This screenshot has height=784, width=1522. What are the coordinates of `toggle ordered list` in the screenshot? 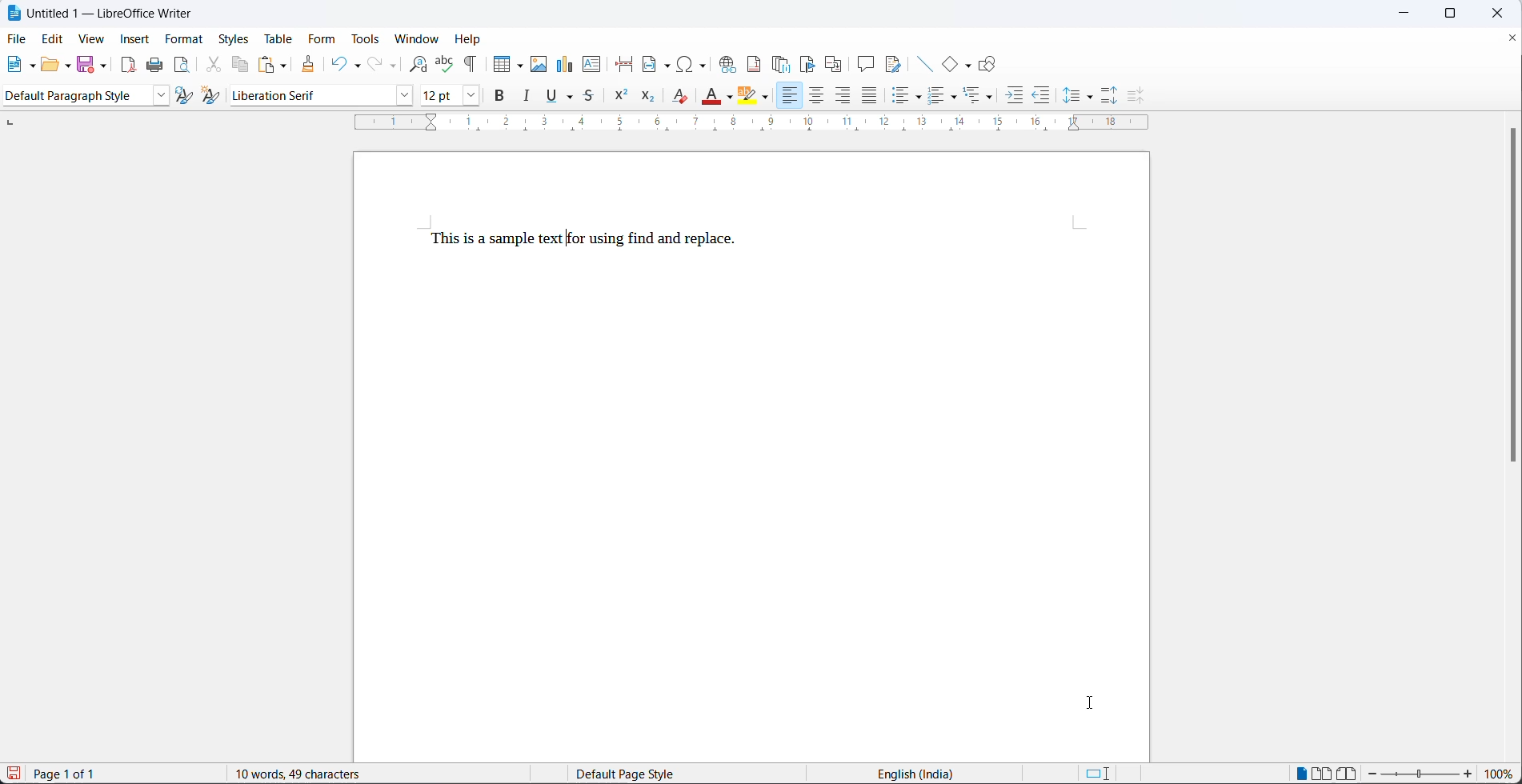 It's located at (938, 97).